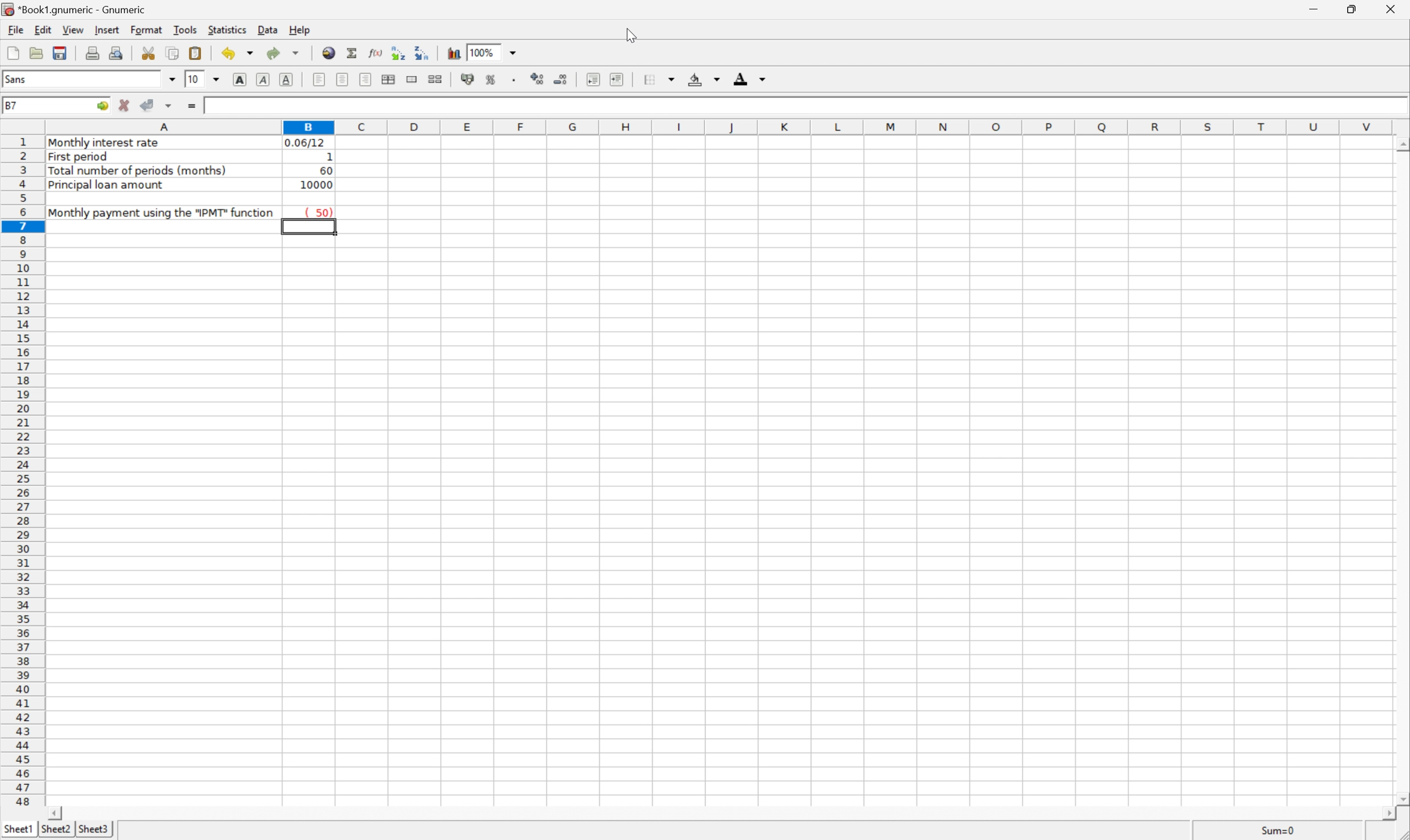 Image resolution: width=1410 pixels, height=840 pixels. What do you see at coordinates (95, 829) in the screenshot?
I see `Sheet3` at bounding box center [95, 829].